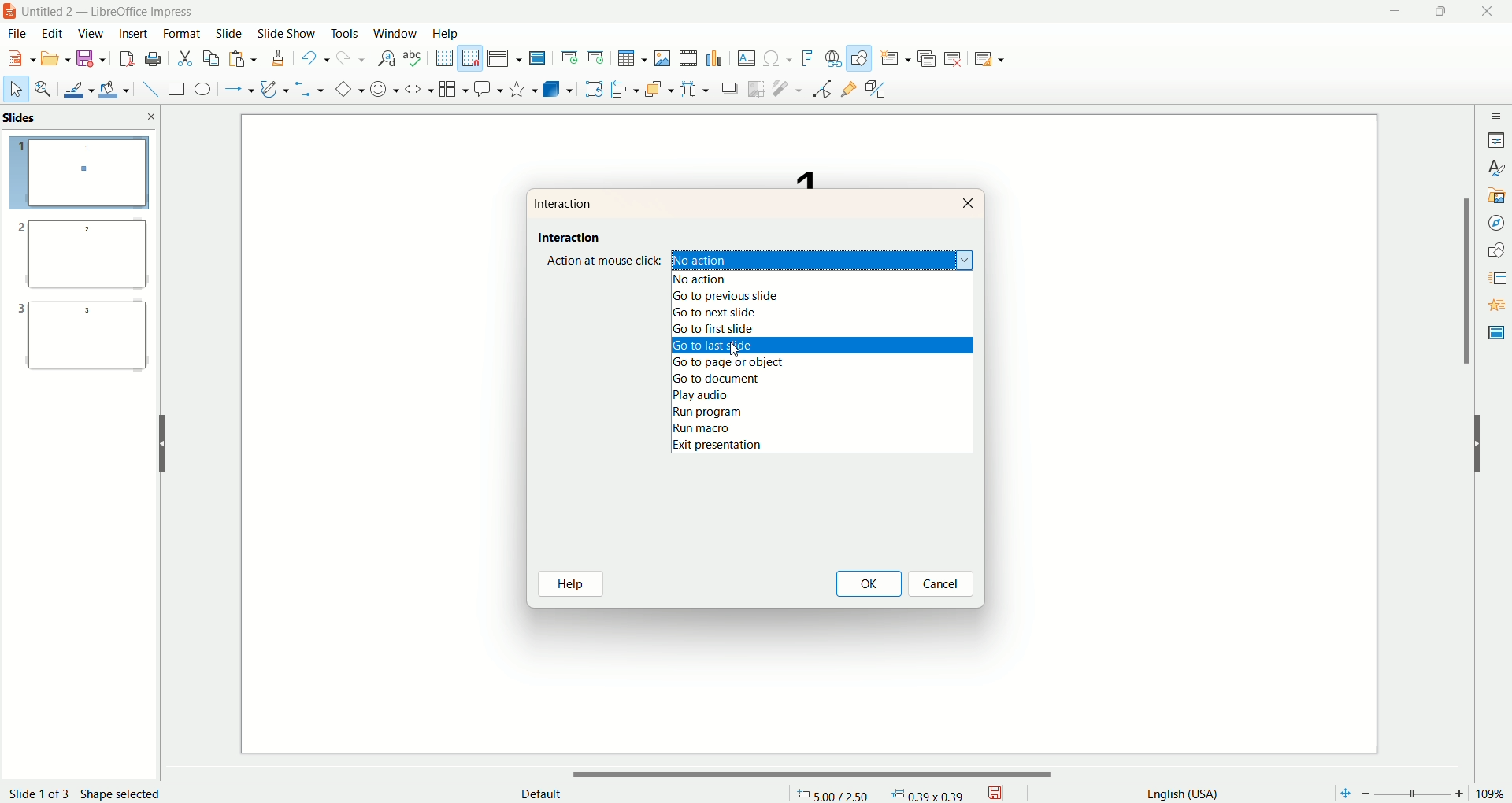 The height and width of the screenshot is (803, 1512). What do you see at coordinates (1494, 794) in the screenshot?
I see `zoom percentage` at bounding box center [1494, 794].